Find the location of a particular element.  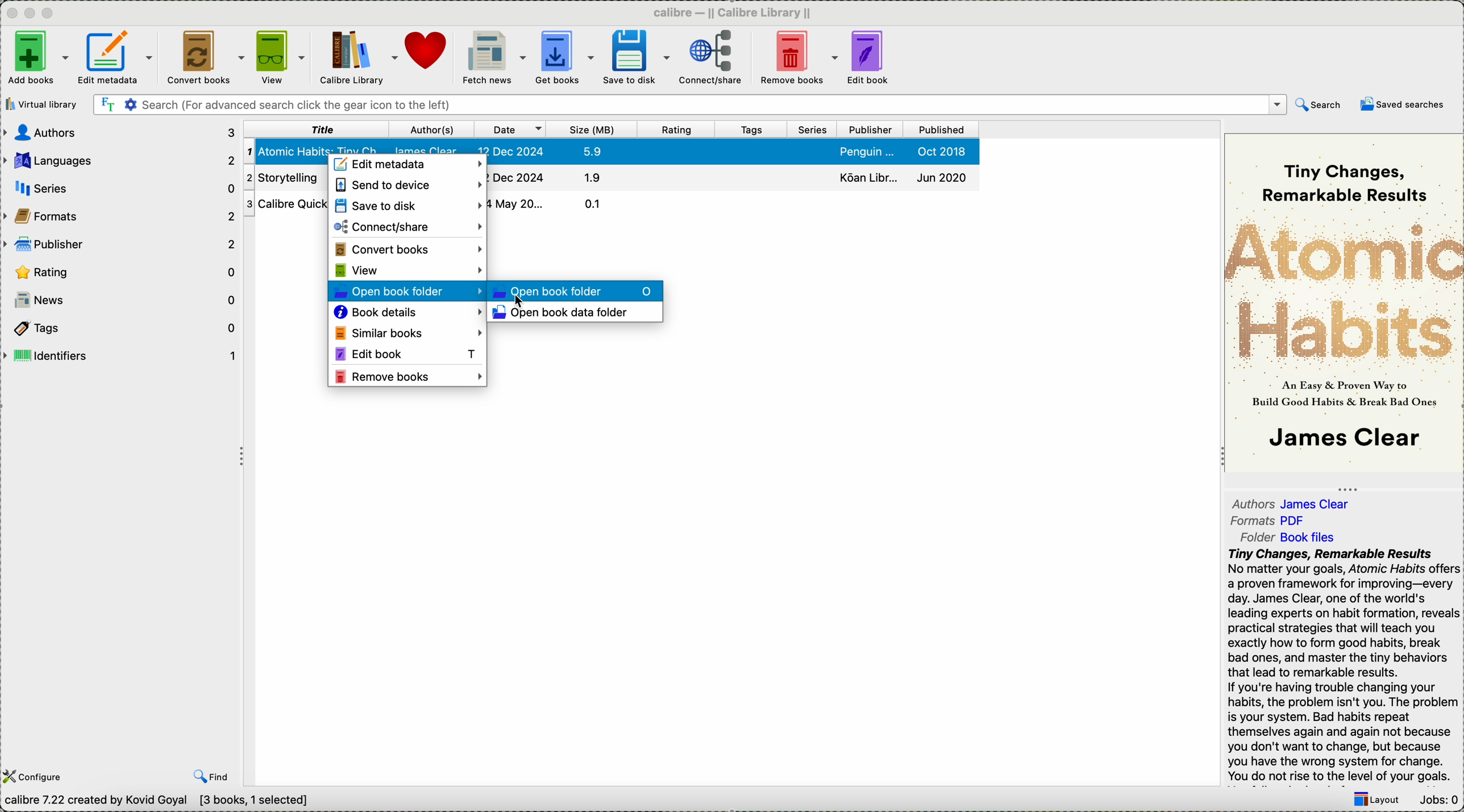

tags is located at coordinates (119, 327).